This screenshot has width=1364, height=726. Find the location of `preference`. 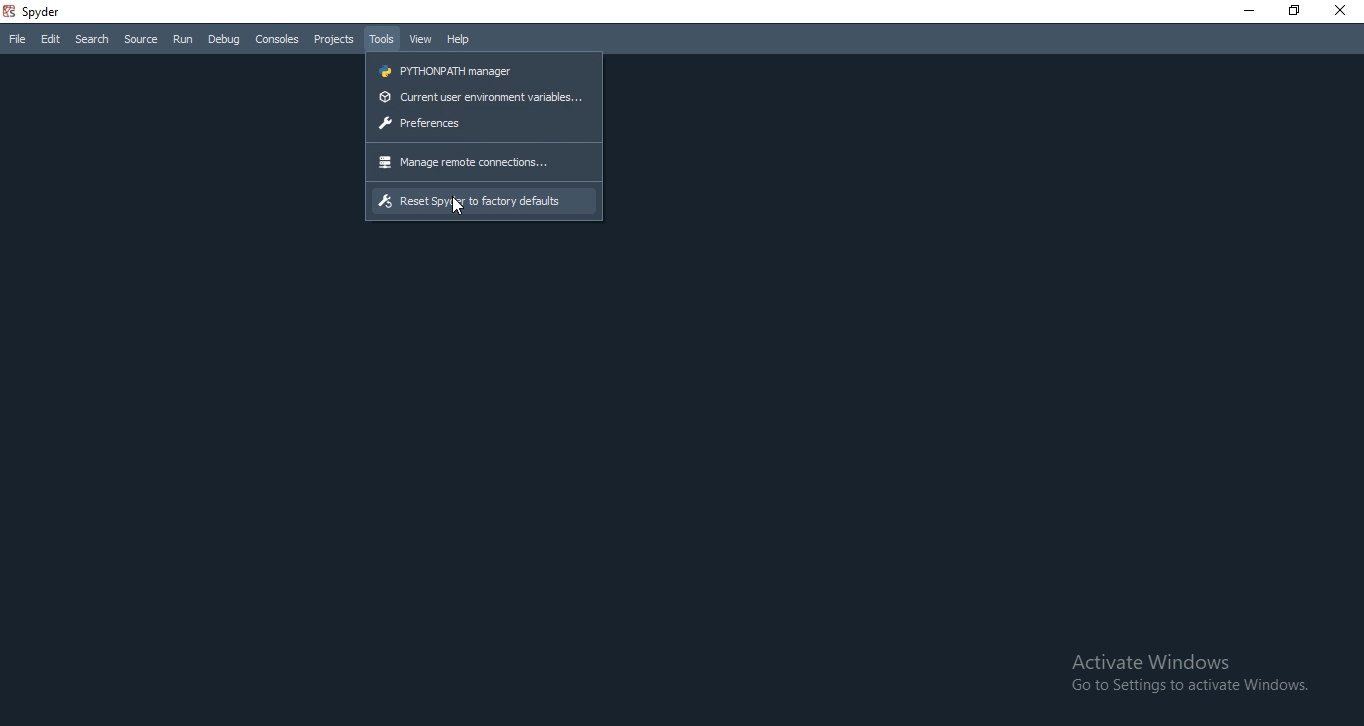

preference is located at coordinates (483, 127).